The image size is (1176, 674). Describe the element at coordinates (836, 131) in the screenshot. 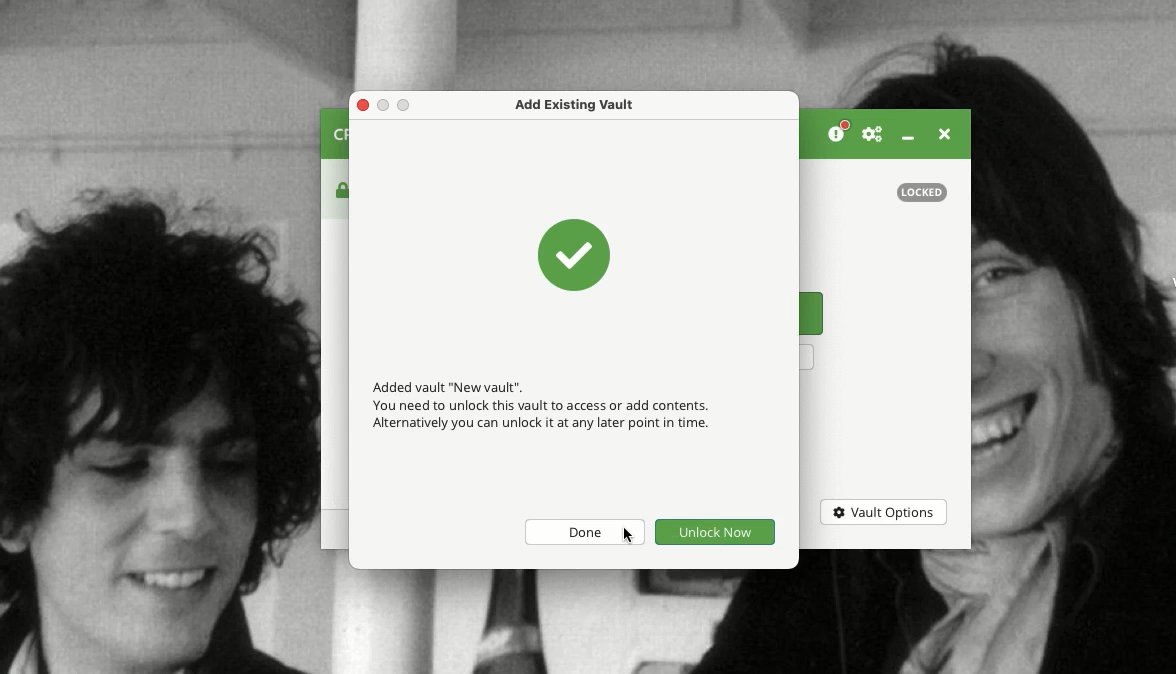

I see `Please consider donating ` at that location.